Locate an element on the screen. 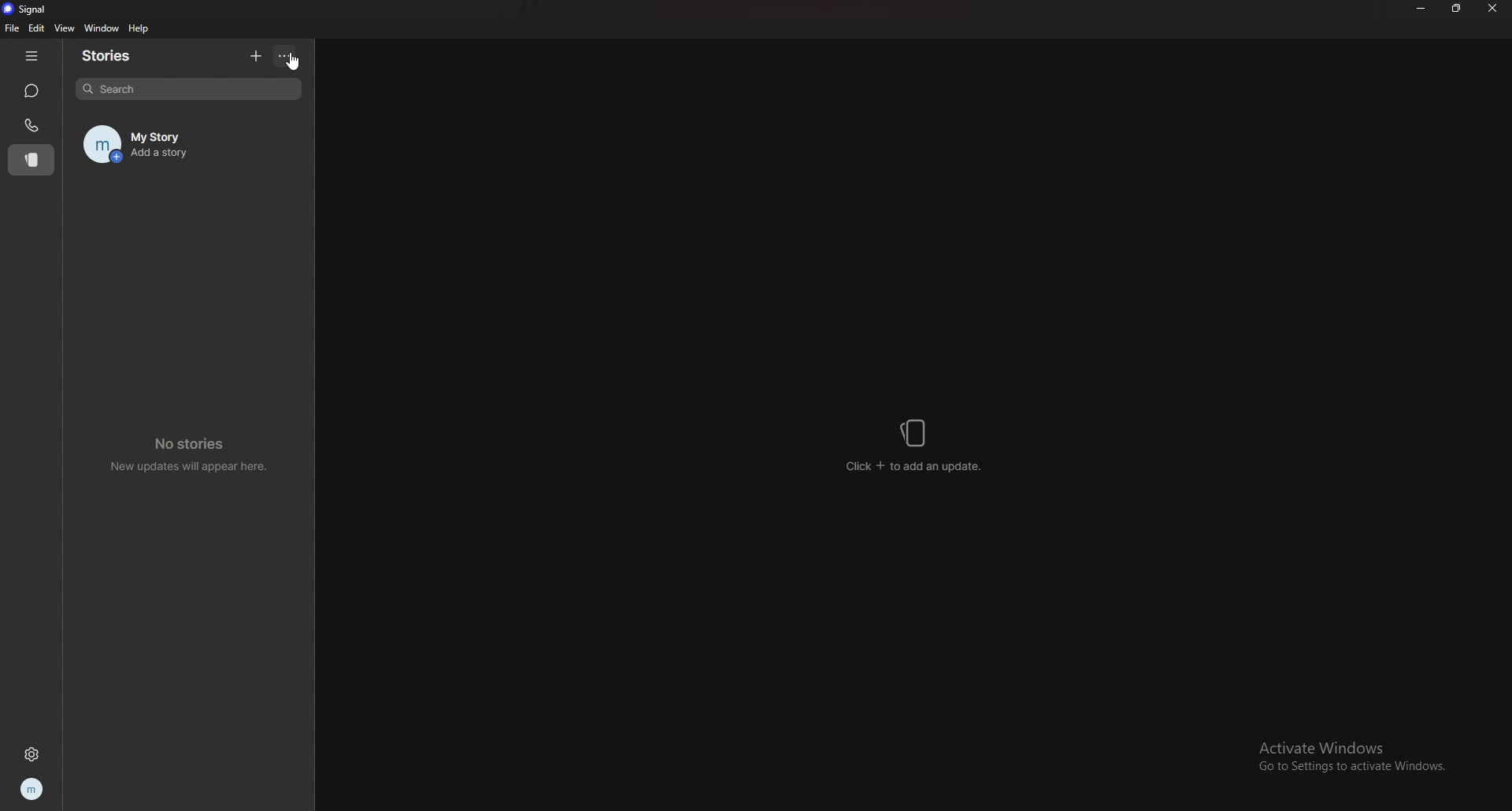  stories is located at coordinates (915, 432).